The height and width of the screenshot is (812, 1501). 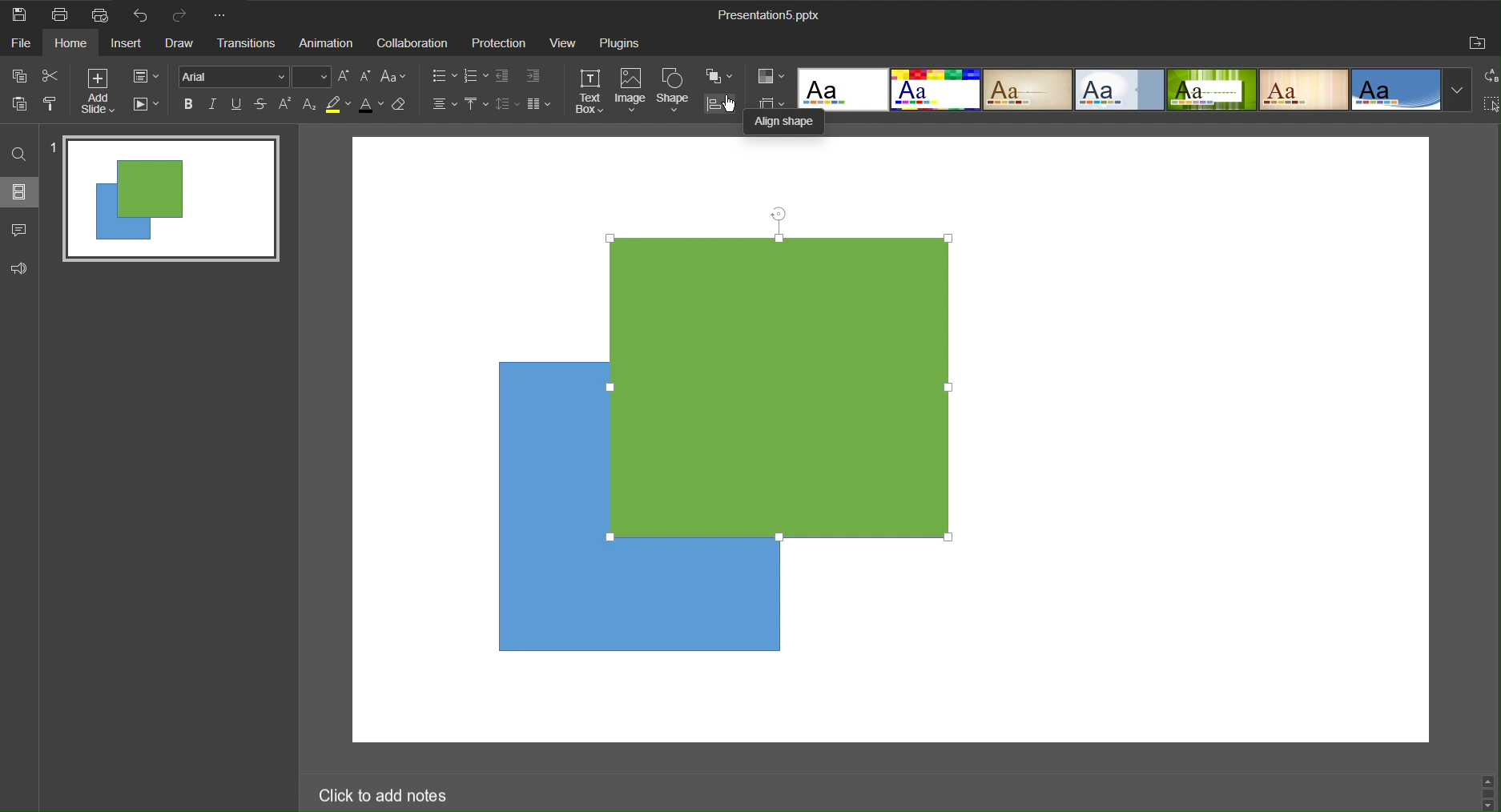 I want to click on Color, so click(x=772, y=78).